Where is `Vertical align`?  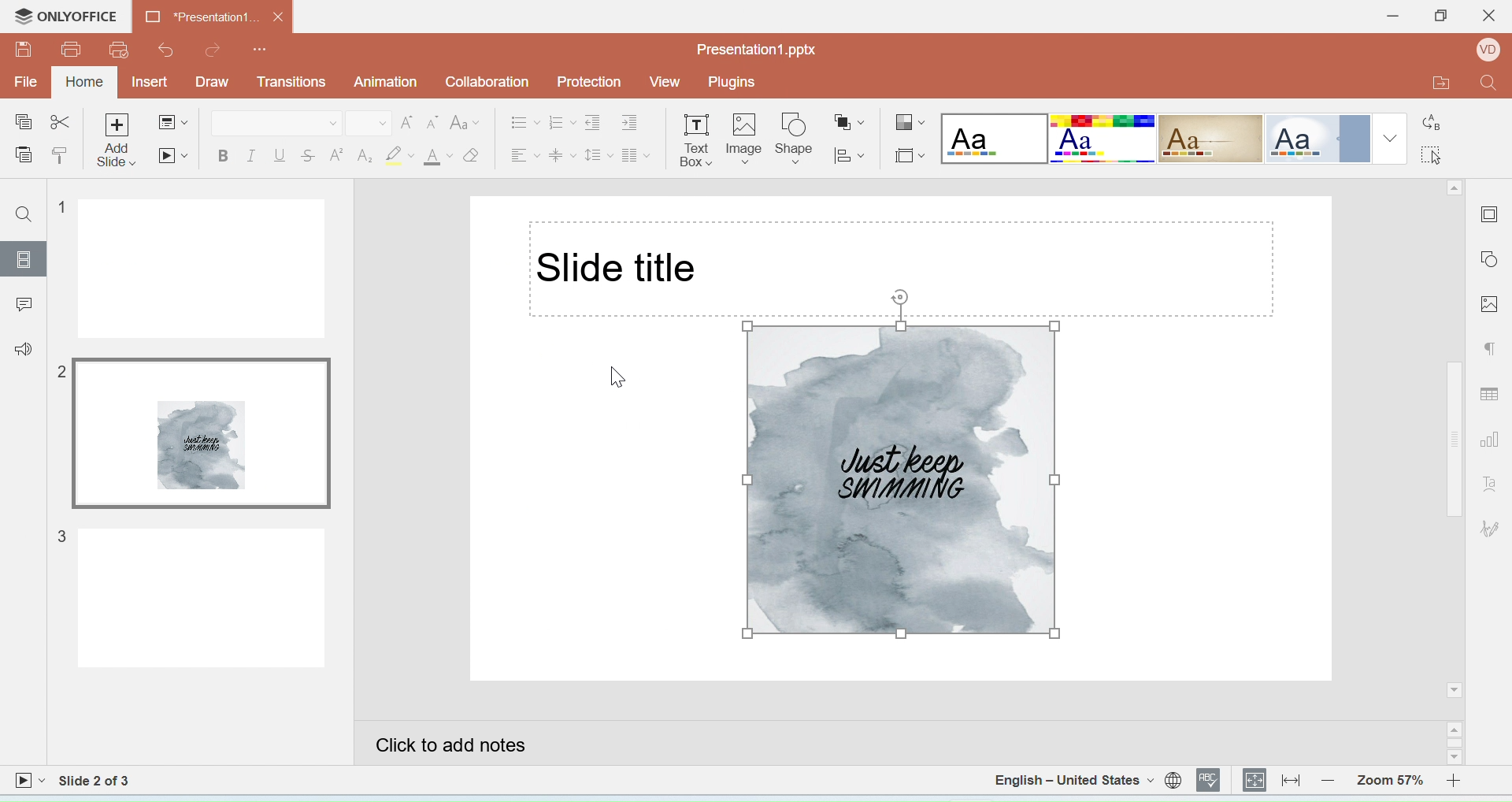 Vertical align is located at coordinates (563, 153).